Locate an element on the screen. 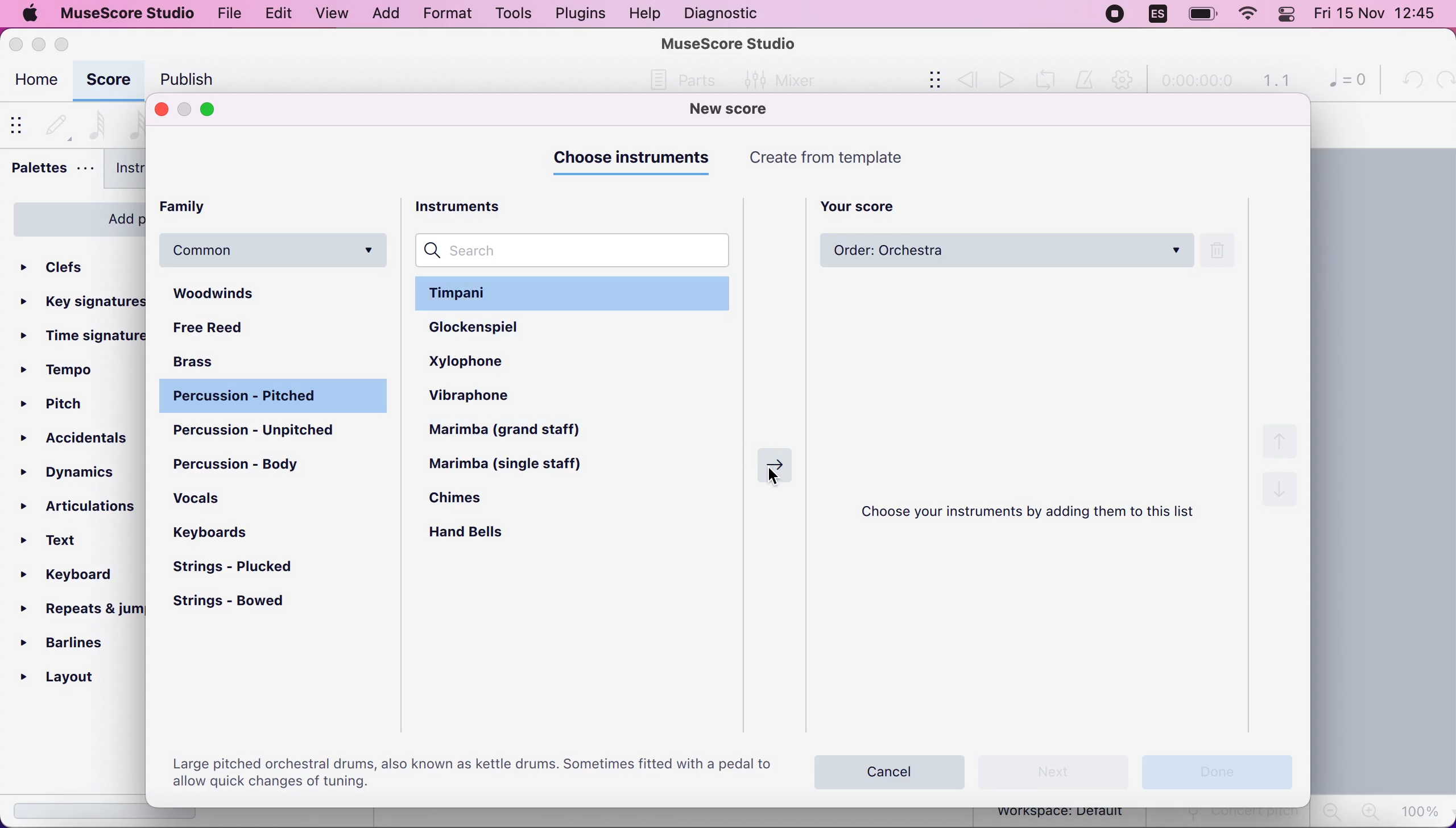 The image size is (1456, 828). chimes is located at coordinates (472, 502).